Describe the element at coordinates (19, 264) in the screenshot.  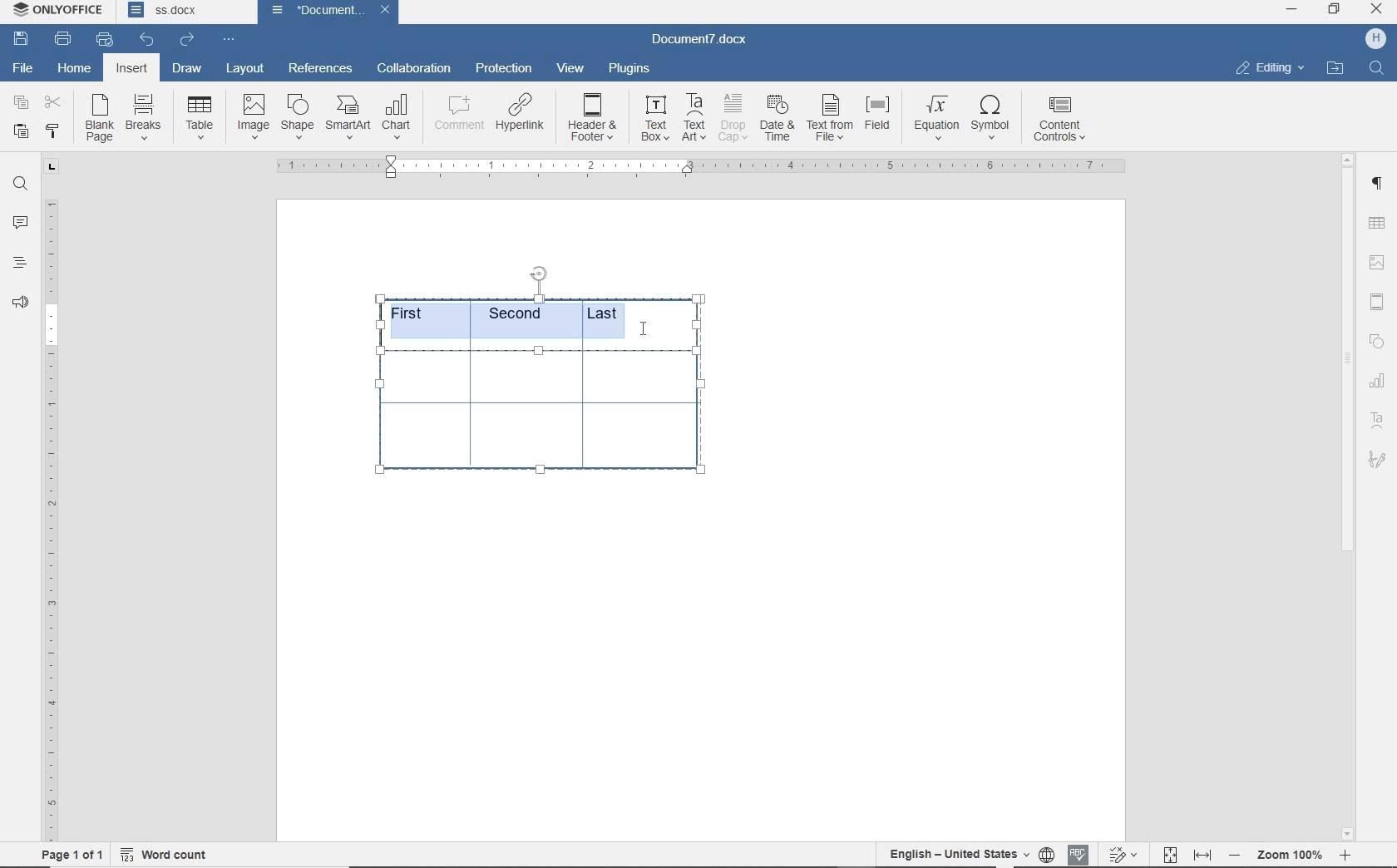
I see `headings` at that location.